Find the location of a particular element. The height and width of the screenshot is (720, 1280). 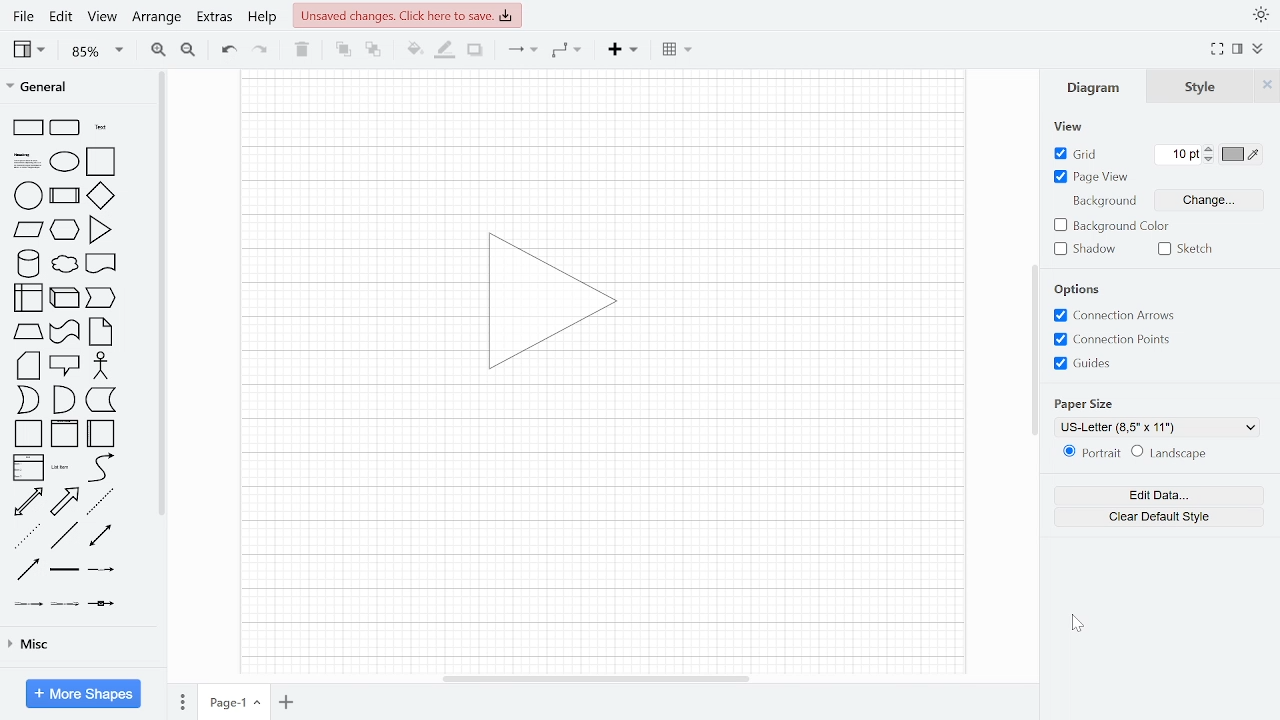

Fullscreen is located at coordinates (1218, 49).